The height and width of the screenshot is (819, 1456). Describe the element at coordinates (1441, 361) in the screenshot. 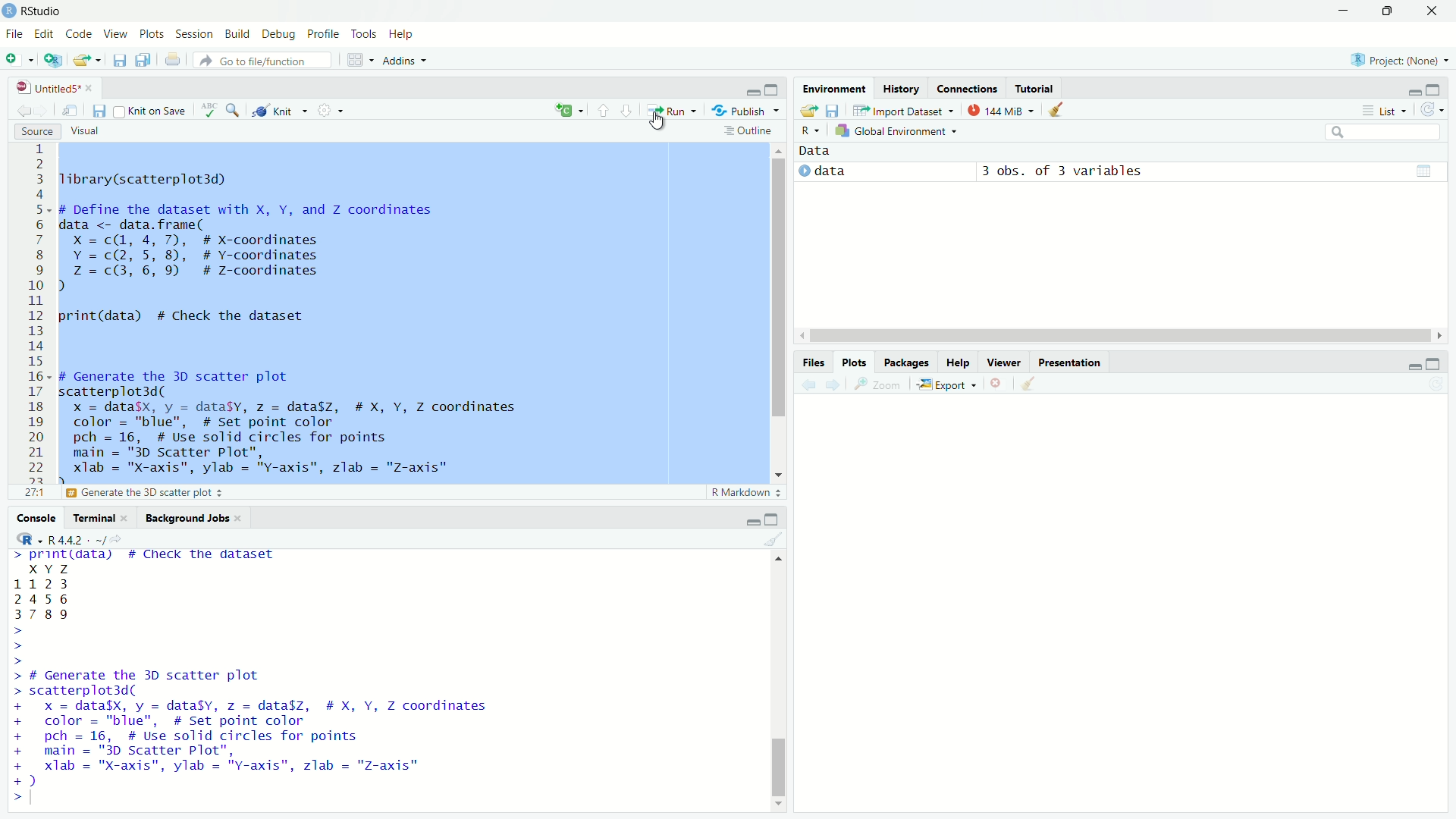

I see `maximize` at that location.